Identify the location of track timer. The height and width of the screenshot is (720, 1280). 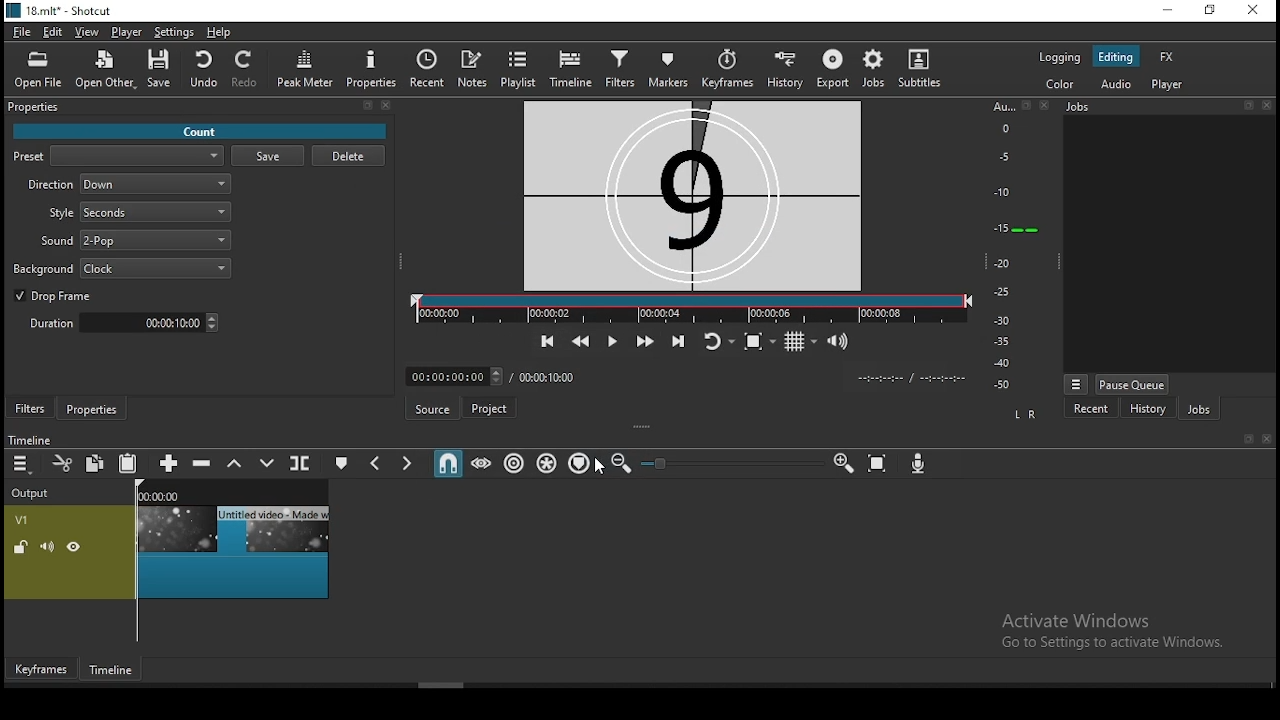
(547, 376).